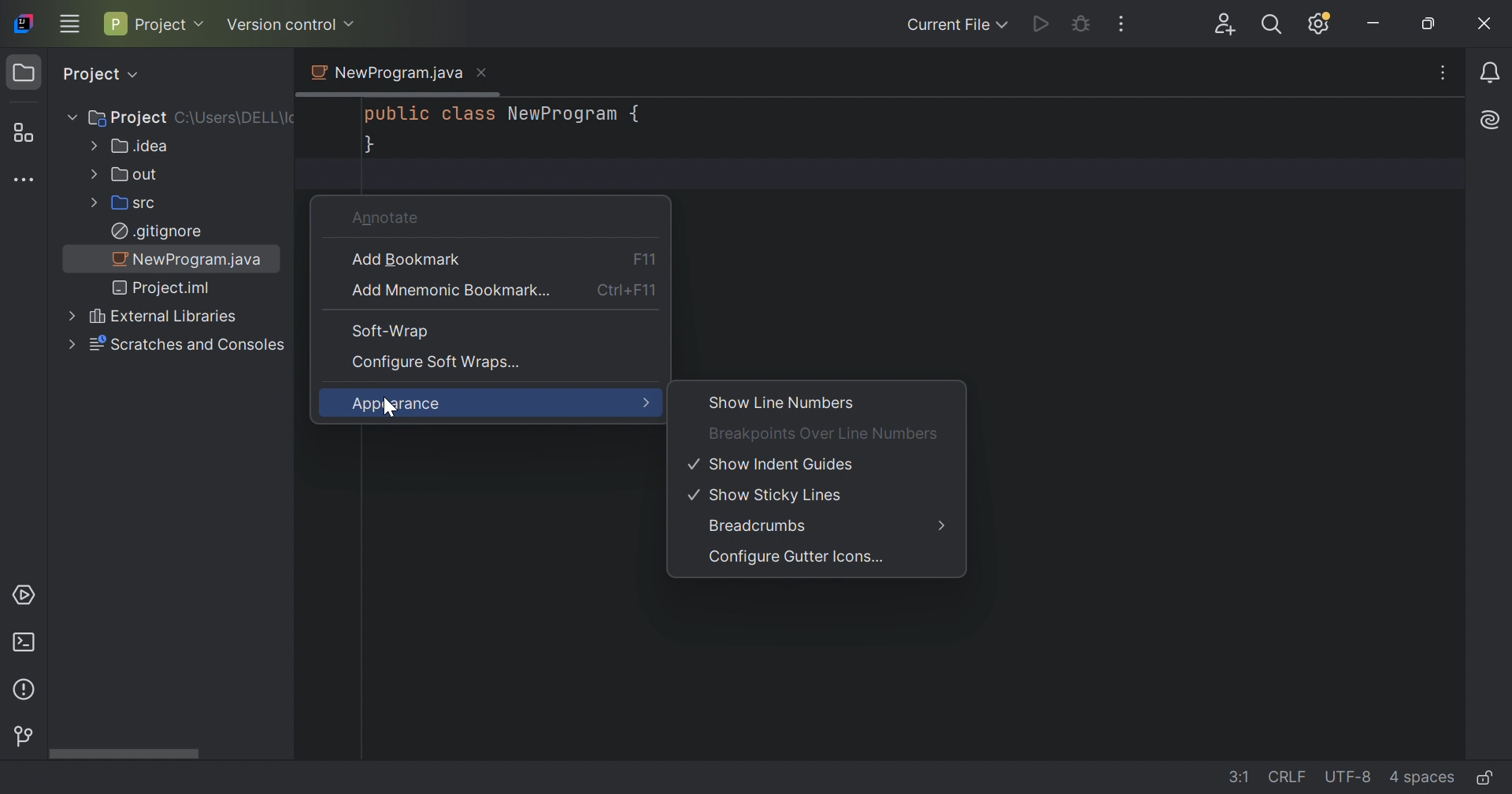  I want to click on Show Sticky Lines, so click(769, 497).